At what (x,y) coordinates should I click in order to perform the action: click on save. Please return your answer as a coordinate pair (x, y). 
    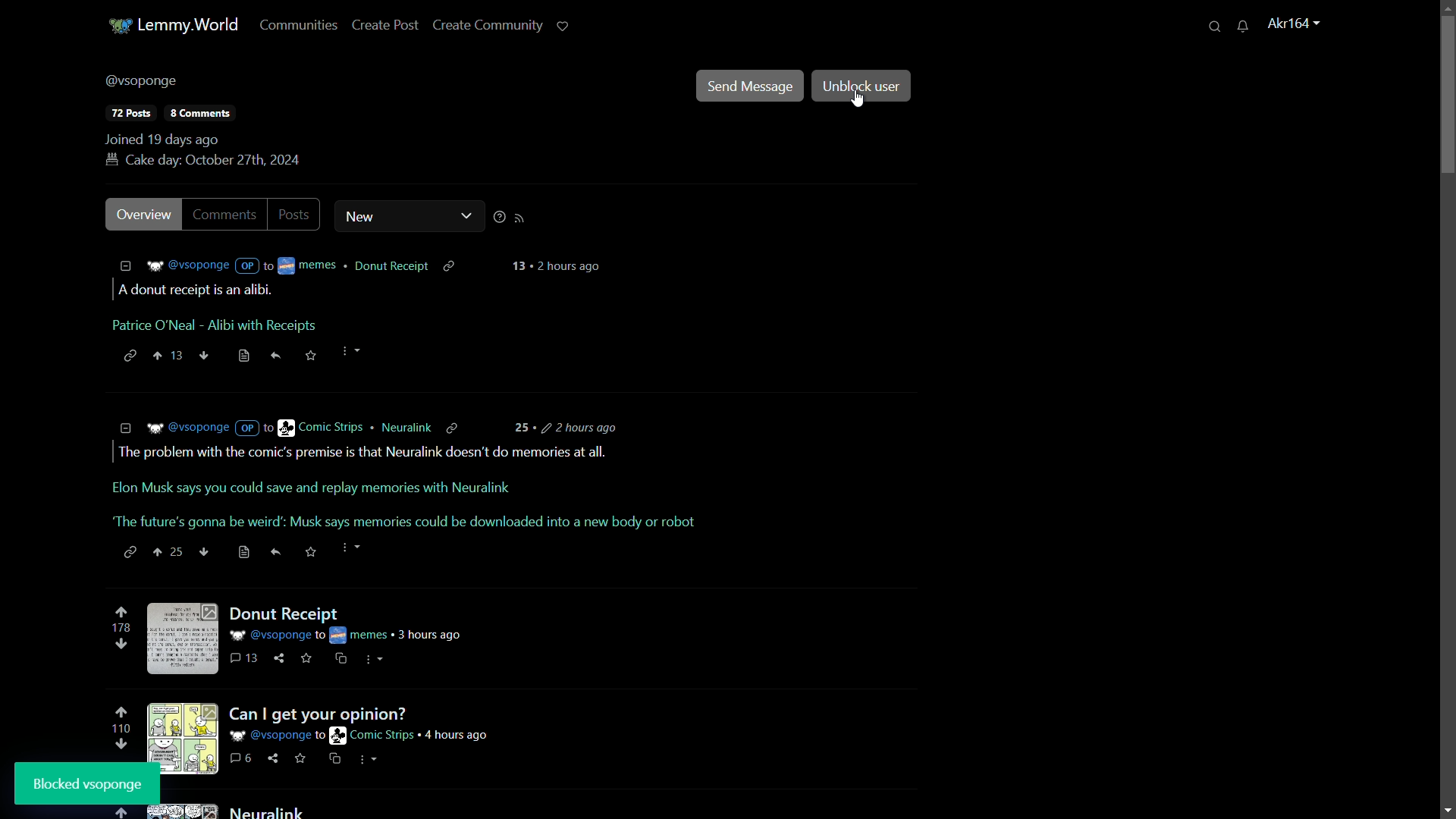
    Looking at the image, I should click on (309, 661).